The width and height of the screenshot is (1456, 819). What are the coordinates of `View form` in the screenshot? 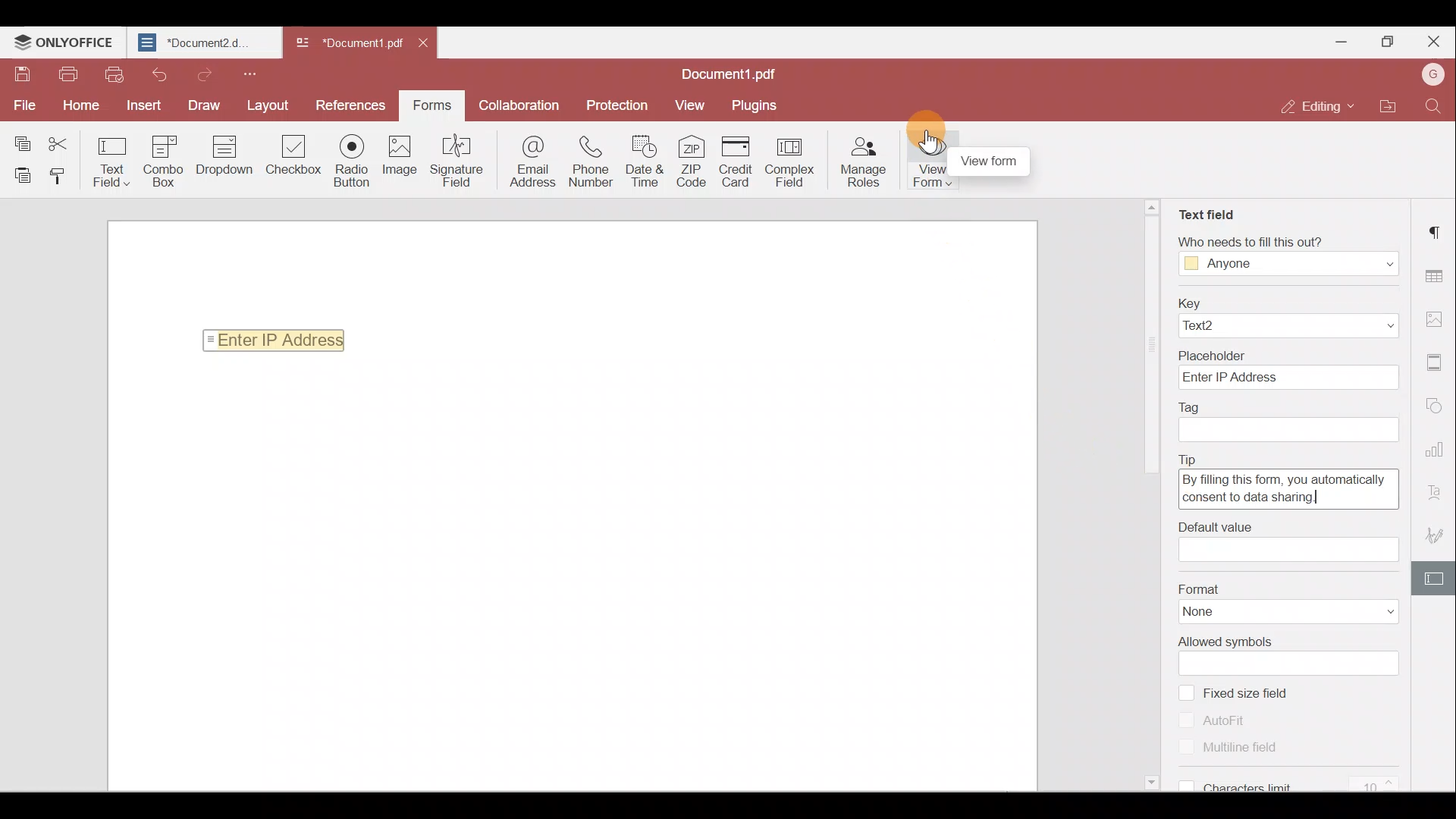 It's located at (996, 162).